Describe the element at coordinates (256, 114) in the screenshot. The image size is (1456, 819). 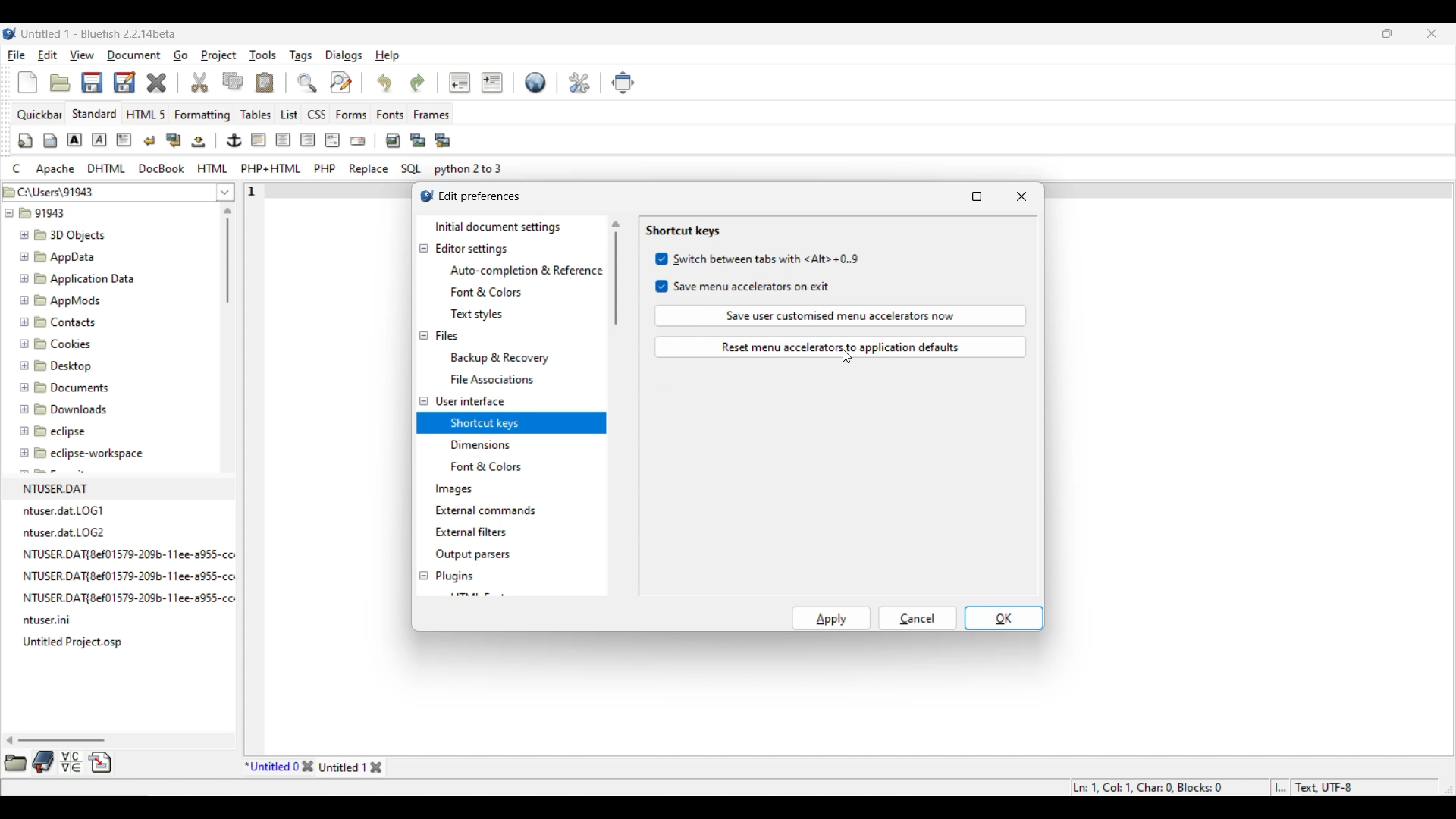
I see `Tables` at that location.